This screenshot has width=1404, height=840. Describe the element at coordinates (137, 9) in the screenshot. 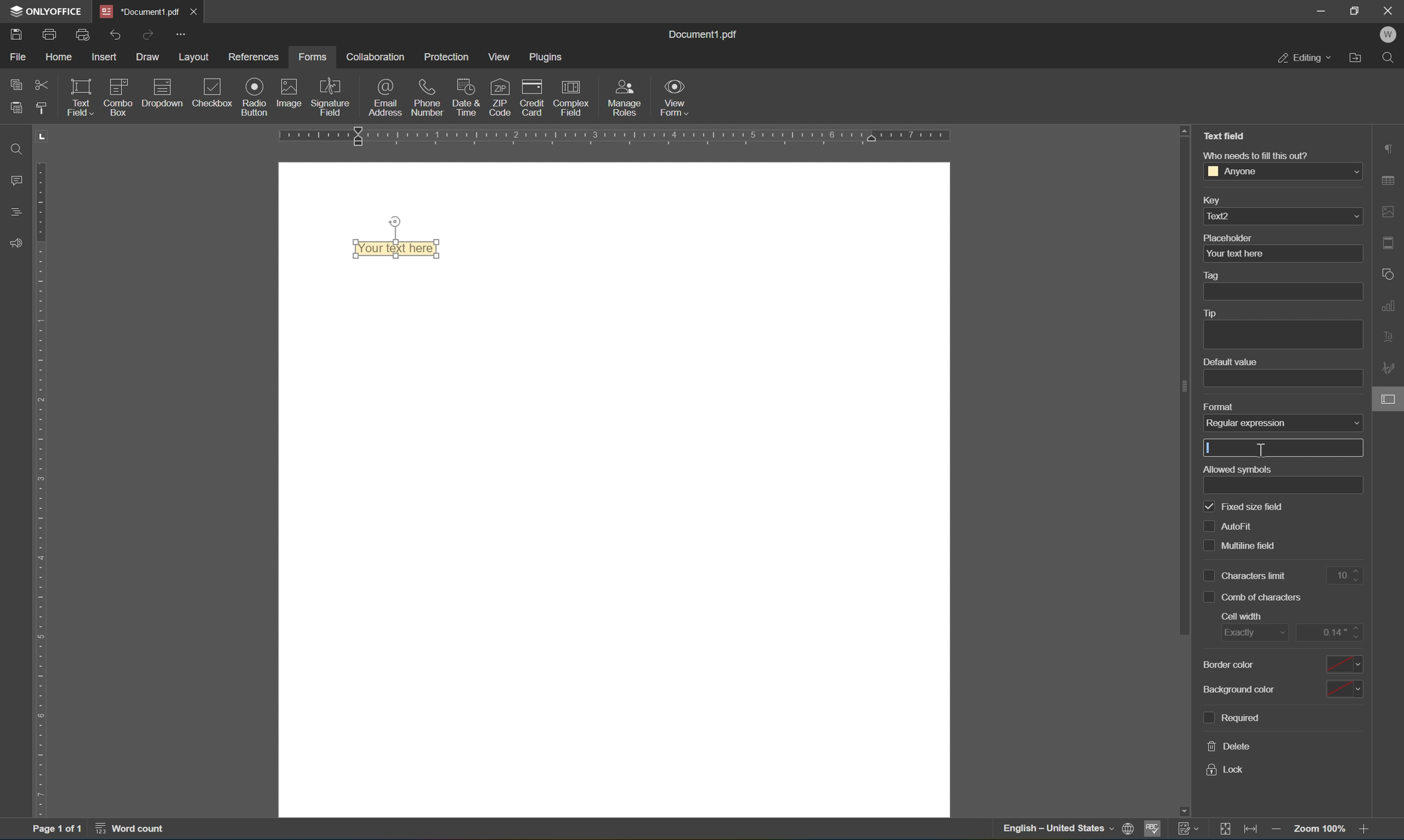

I see `document1` at that location.